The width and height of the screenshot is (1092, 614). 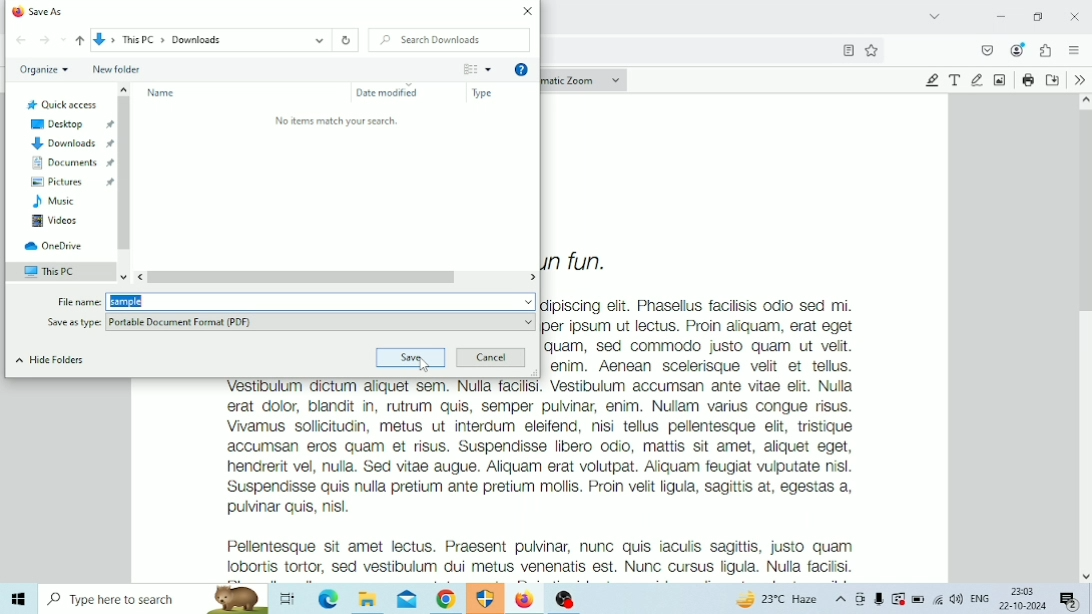 I want to click on Forward, so click(x=45, y=39).